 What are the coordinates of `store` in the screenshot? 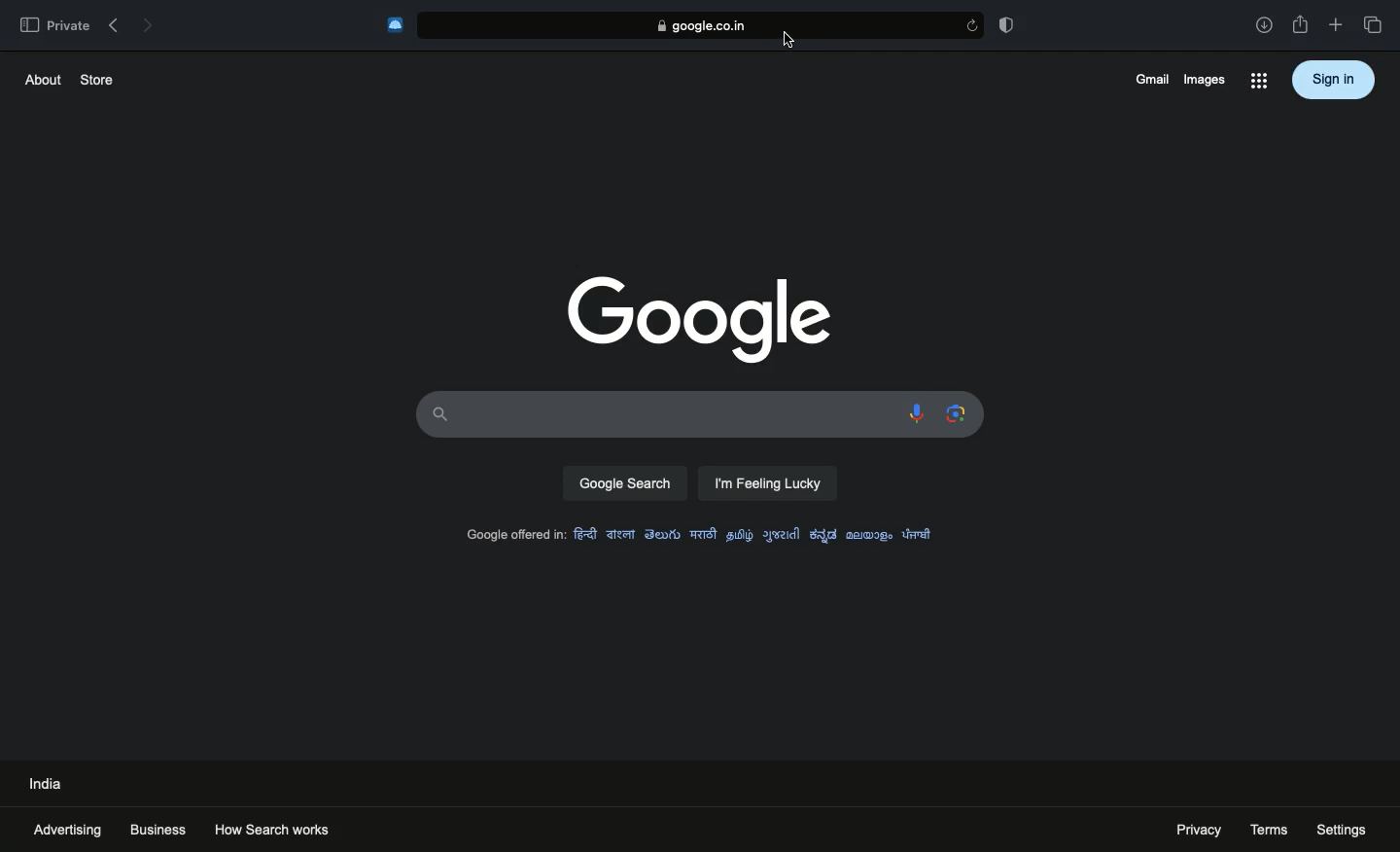 It's located at (98, 78).